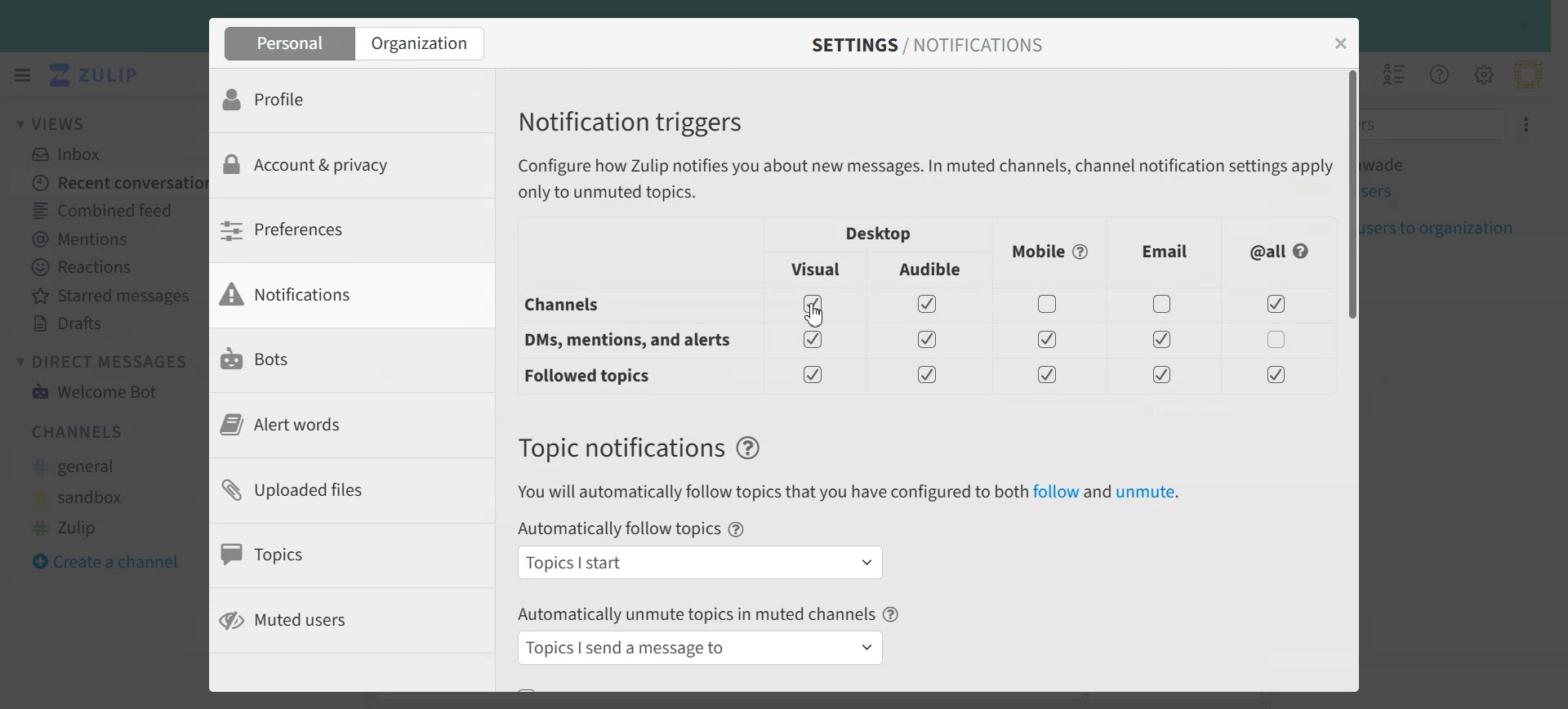 This screenshot has width=1568, height=709. Describe the element at coordinates (332, 165) in the screenshot. I see `Account & privacy` at that location.